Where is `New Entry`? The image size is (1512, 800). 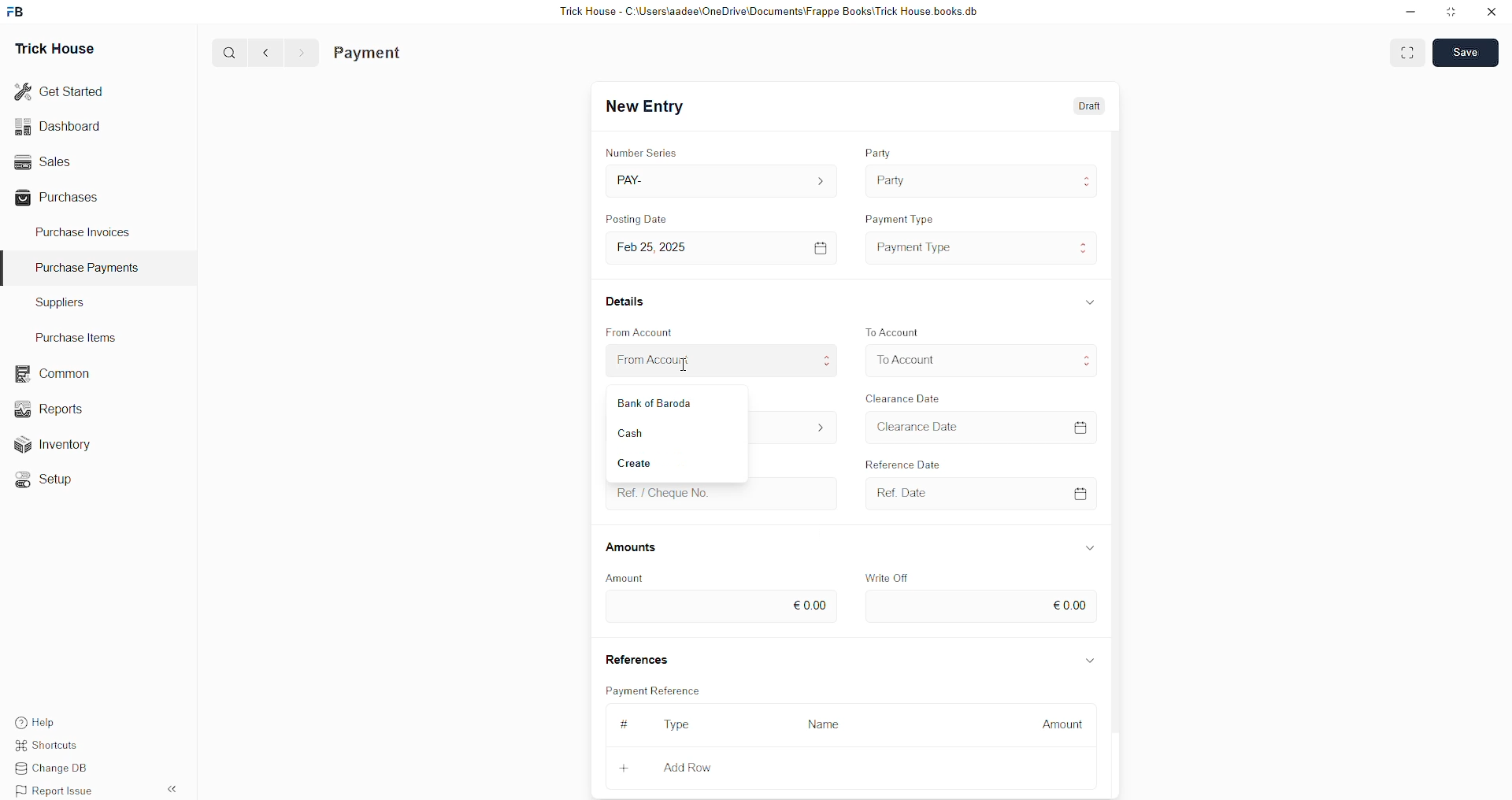
New Entry is located at coordinates (649, 107).